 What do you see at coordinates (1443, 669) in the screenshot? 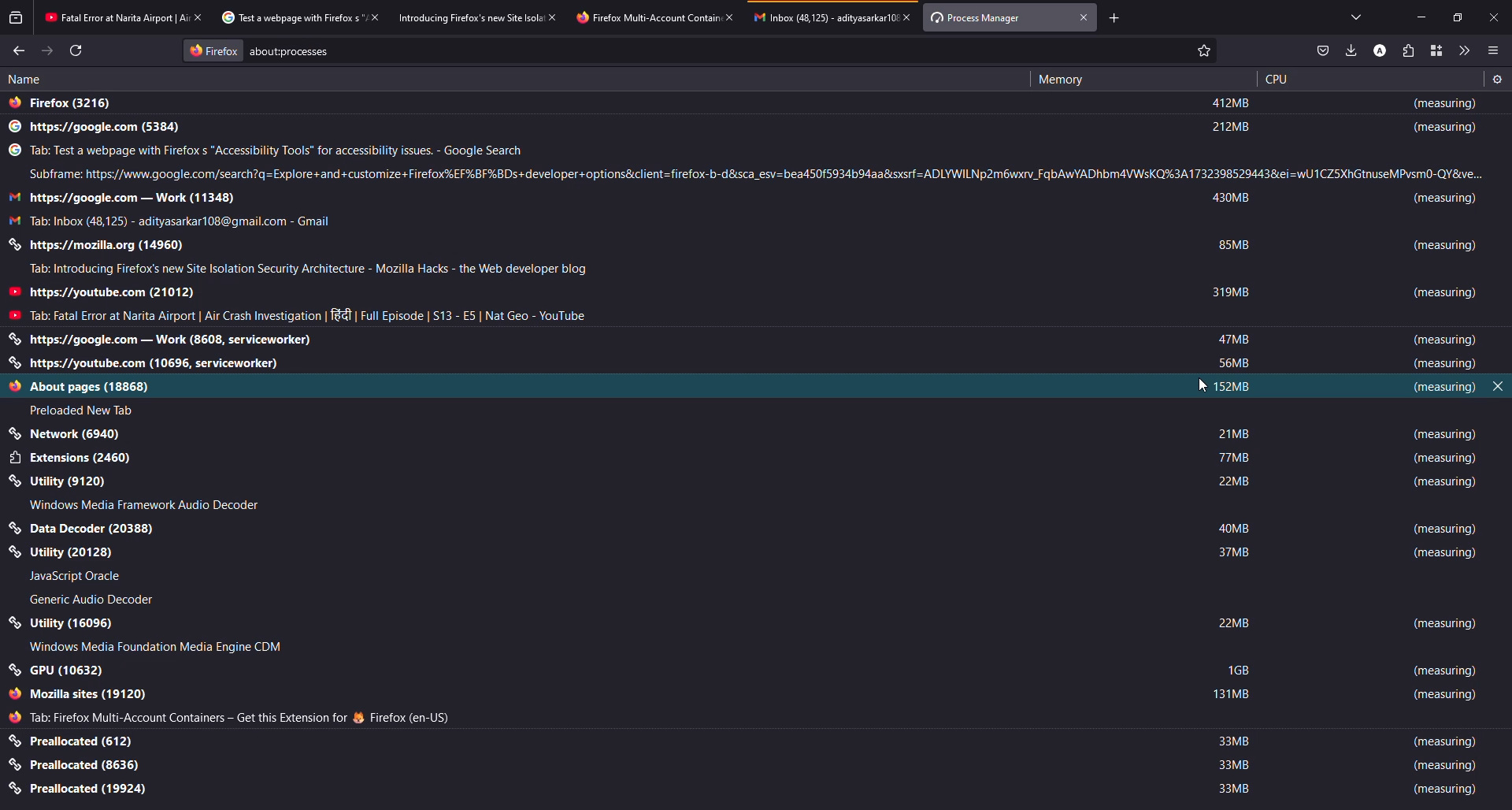
I see `measuring` at bounding box center [1443, 669].